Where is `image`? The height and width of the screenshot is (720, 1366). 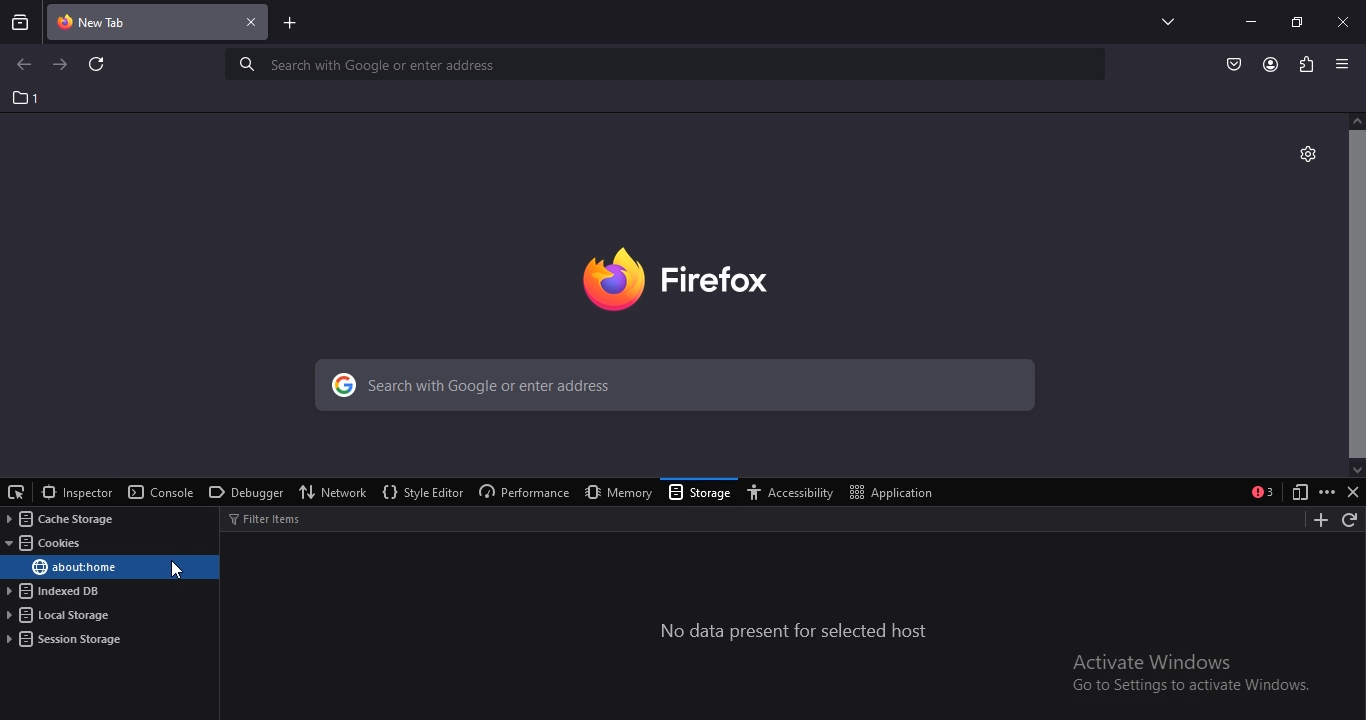
image is located at coordinates (706, 275).